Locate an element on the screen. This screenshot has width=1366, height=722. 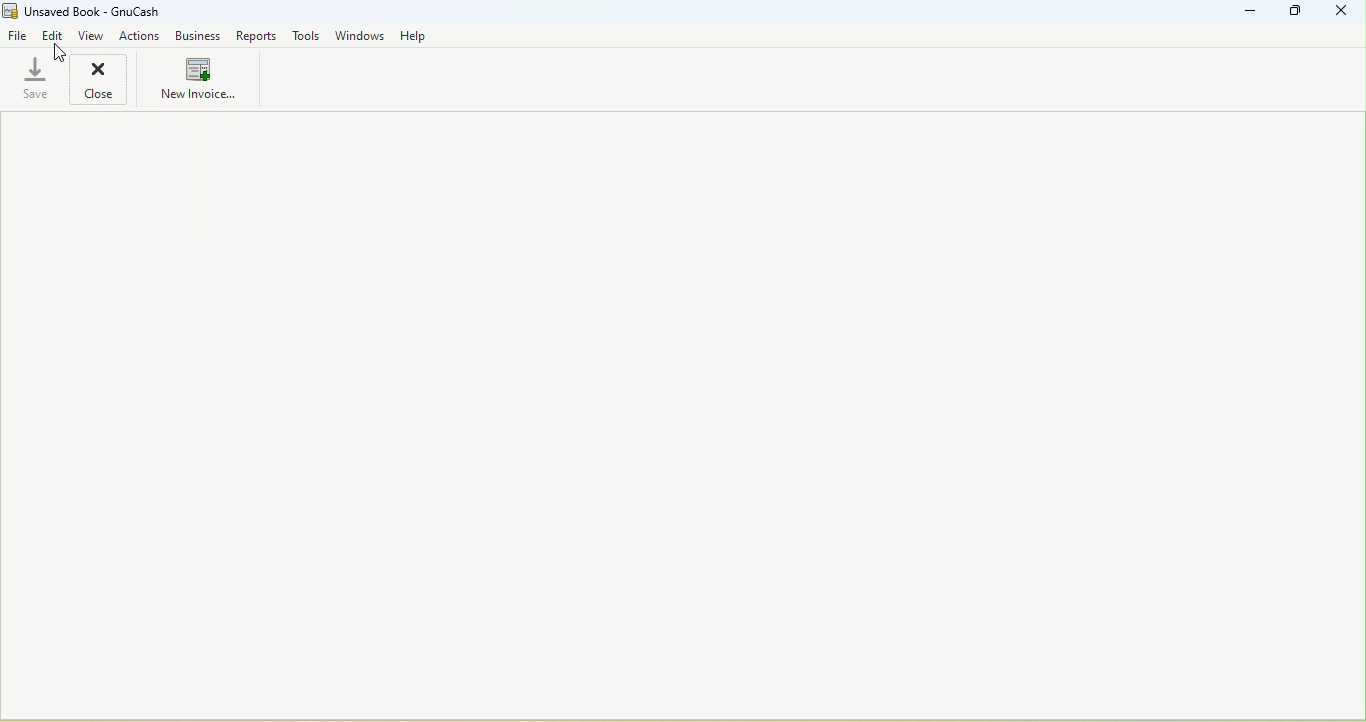
Save is located at coordinates (31, 80).